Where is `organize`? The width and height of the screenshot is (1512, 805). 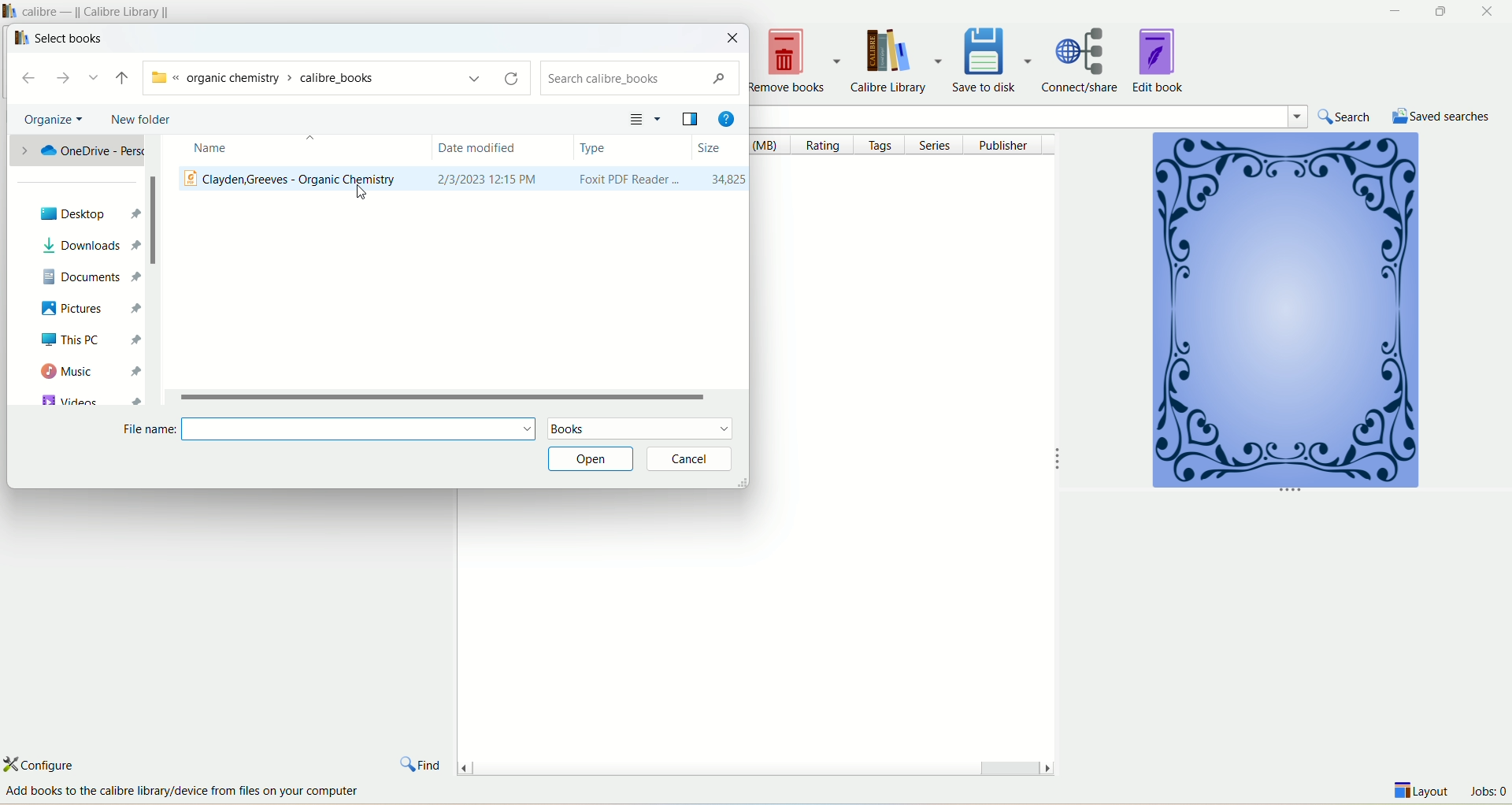
organize is located at coordinates (48, 120).